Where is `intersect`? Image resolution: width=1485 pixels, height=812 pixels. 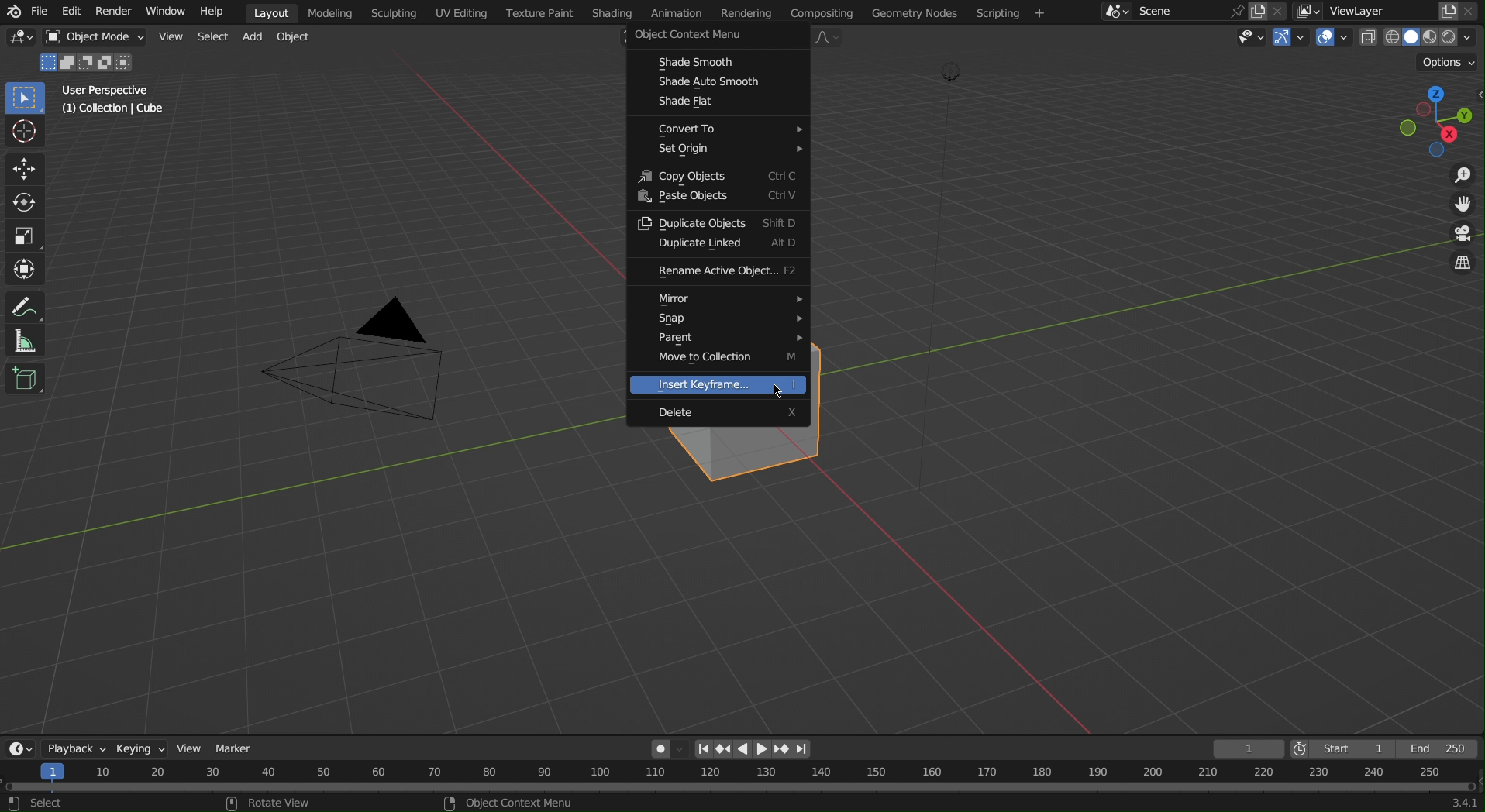
intersect is located at coordinates (129, 63).